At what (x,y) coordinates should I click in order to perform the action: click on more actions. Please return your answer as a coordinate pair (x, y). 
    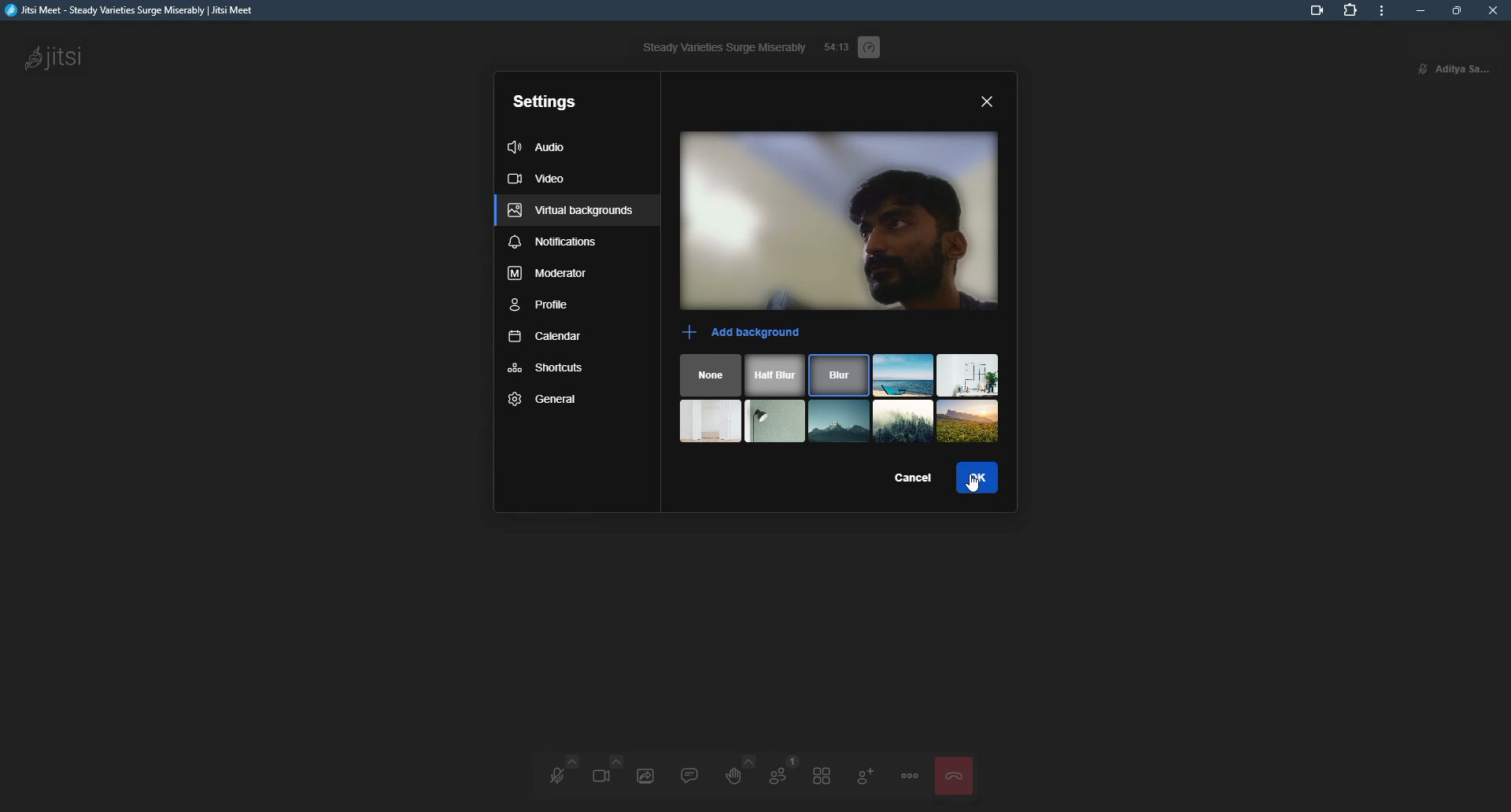
    Looking at the image, I should click on (910, 776).